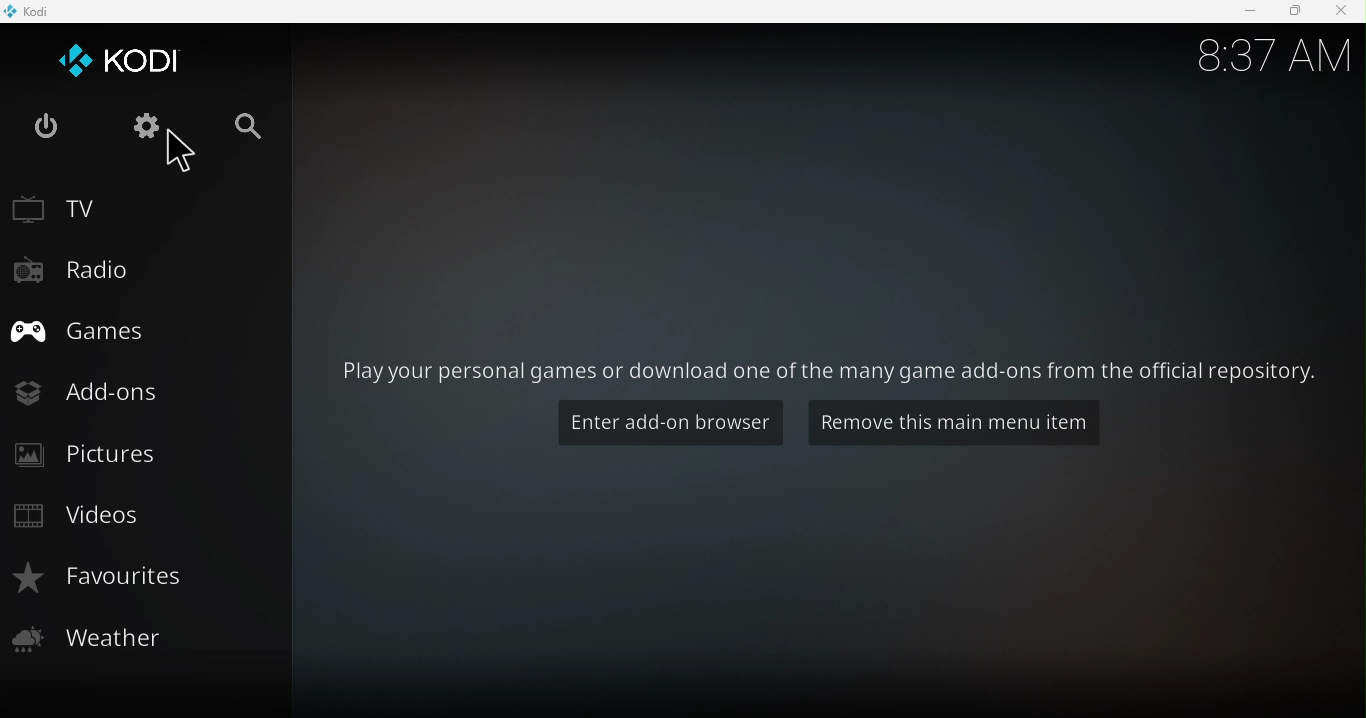 This screenshot has height=718, width=1366. I want to click on Kodi icon, so click(41, 10).